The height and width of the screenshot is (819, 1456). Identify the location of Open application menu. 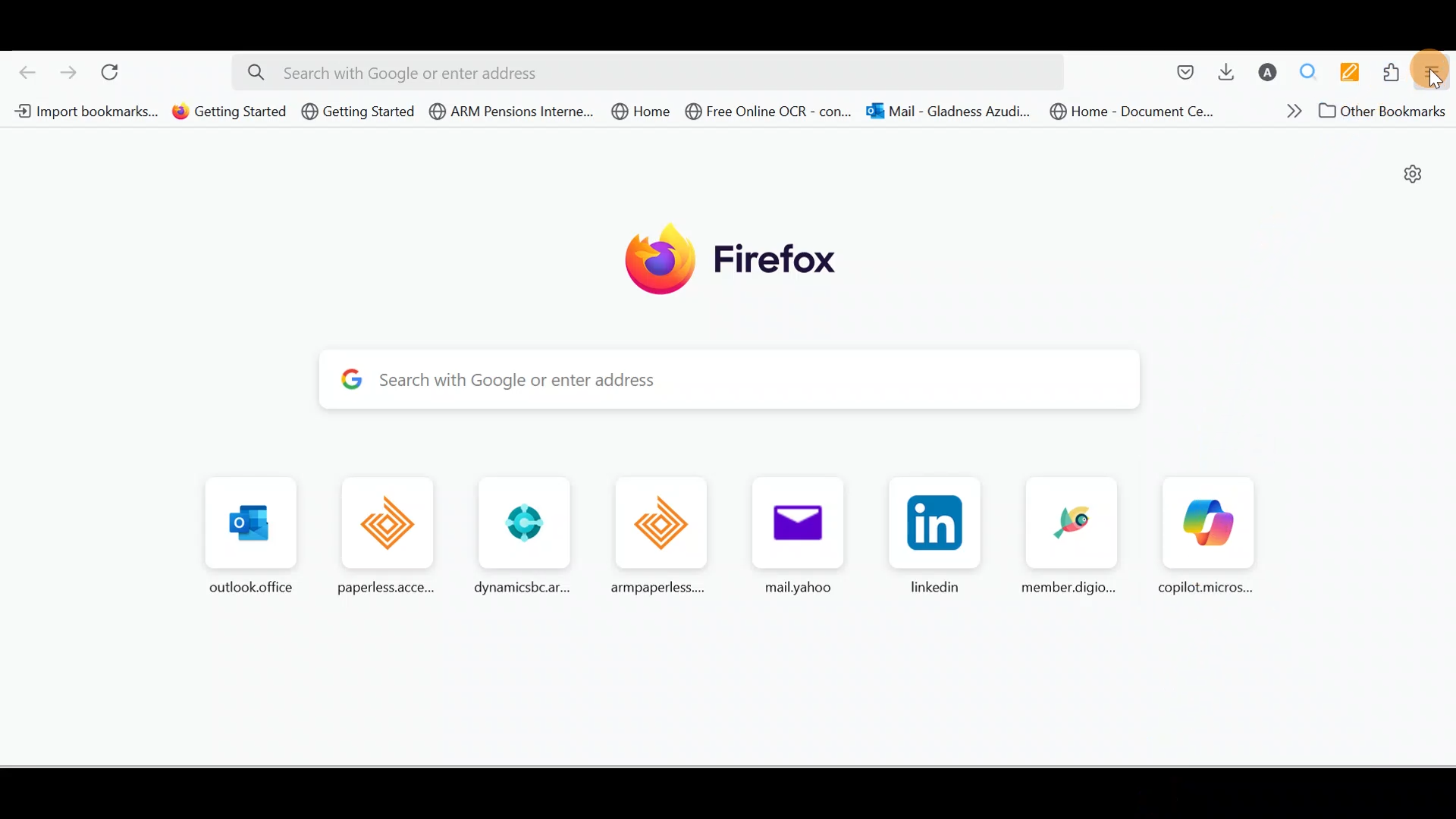
(1436, 73).